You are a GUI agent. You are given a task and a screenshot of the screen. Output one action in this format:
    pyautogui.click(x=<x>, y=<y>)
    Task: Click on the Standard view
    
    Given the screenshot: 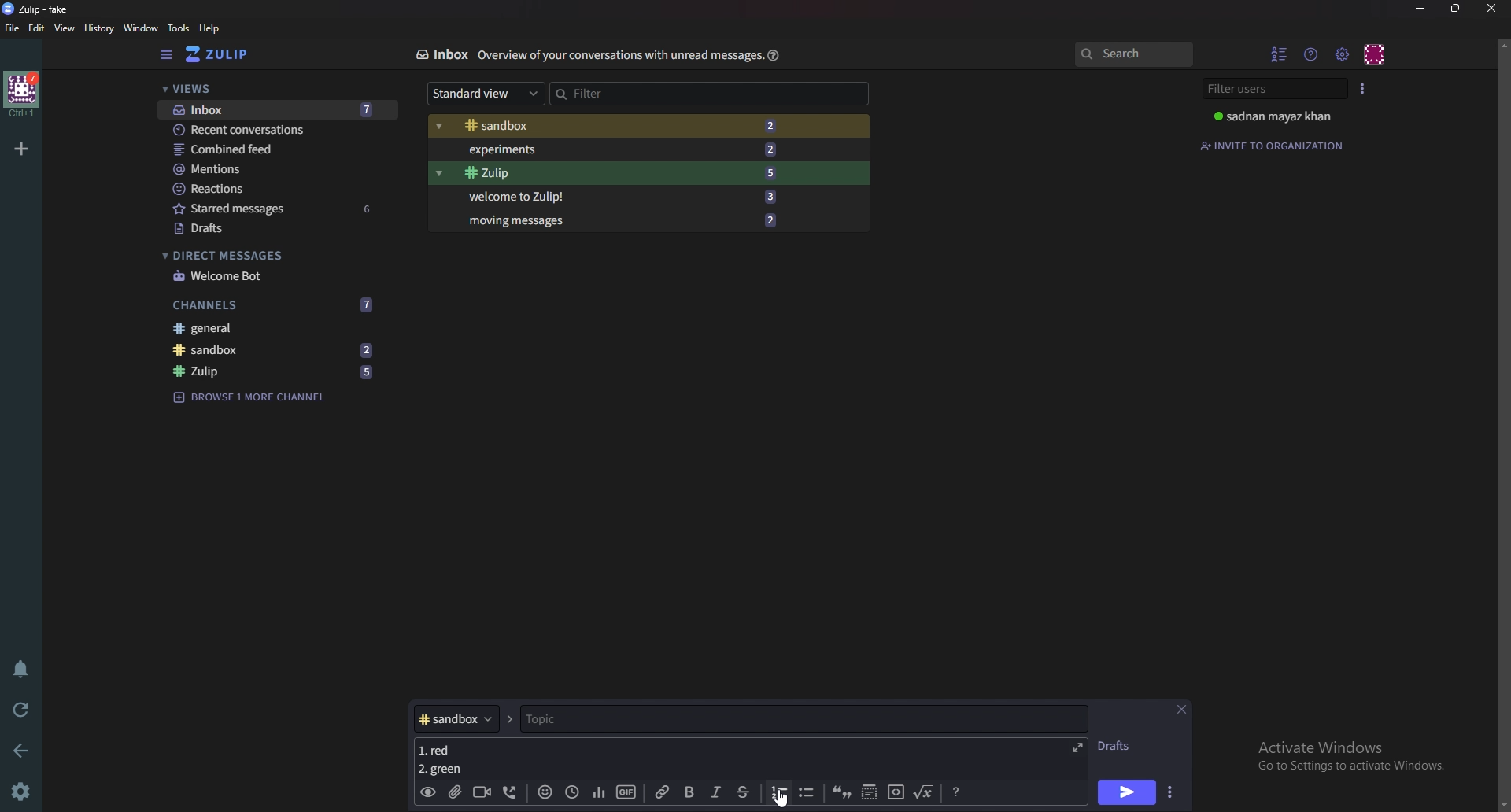 What is the action you would take?
    pyautogui.click(x=481, y=94)
    